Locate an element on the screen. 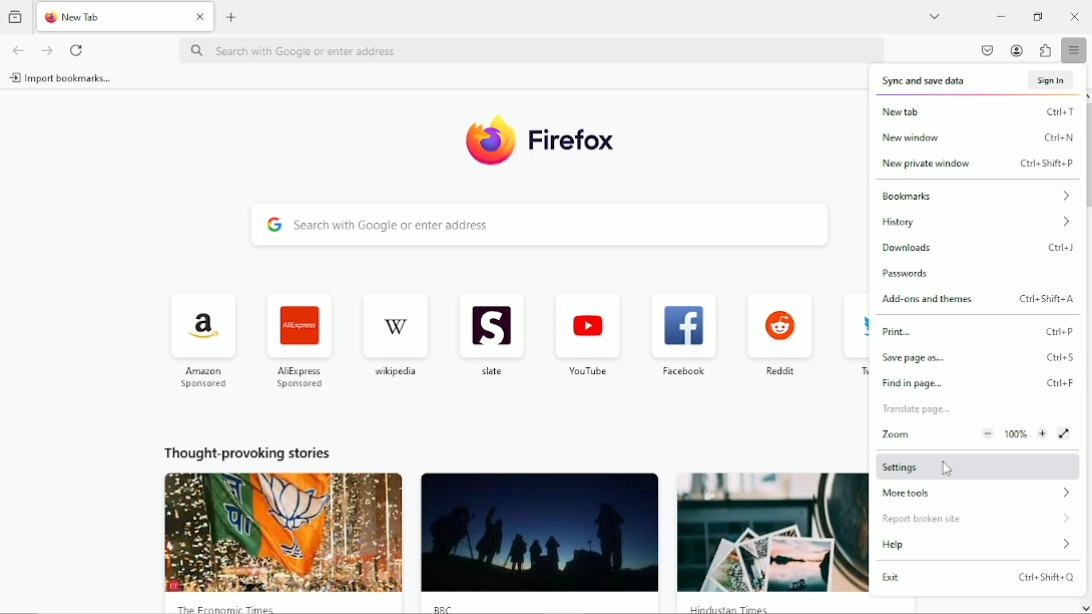 This screenshot has width=1092, height=614. Shortcut keys is located at coordinates (1047, 297).